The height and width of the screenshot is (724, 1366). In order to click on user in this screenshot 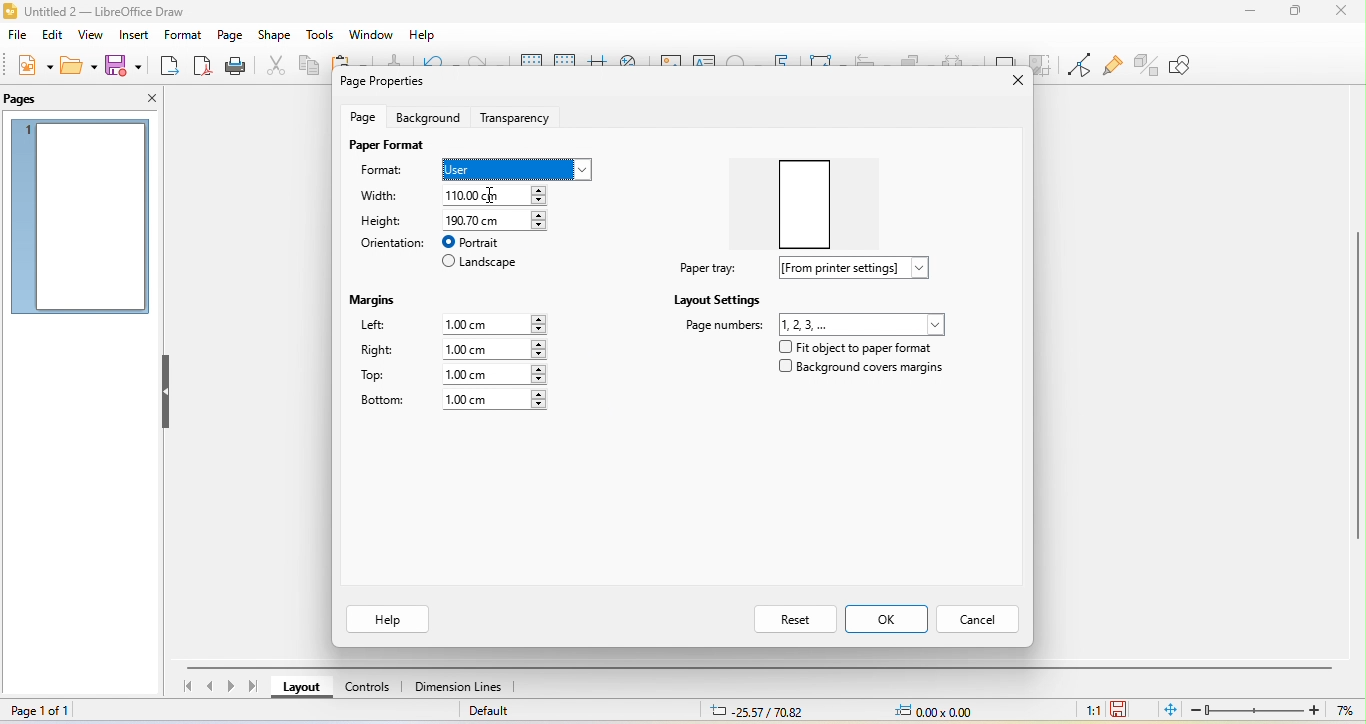, I will do `click(518, 167)`.